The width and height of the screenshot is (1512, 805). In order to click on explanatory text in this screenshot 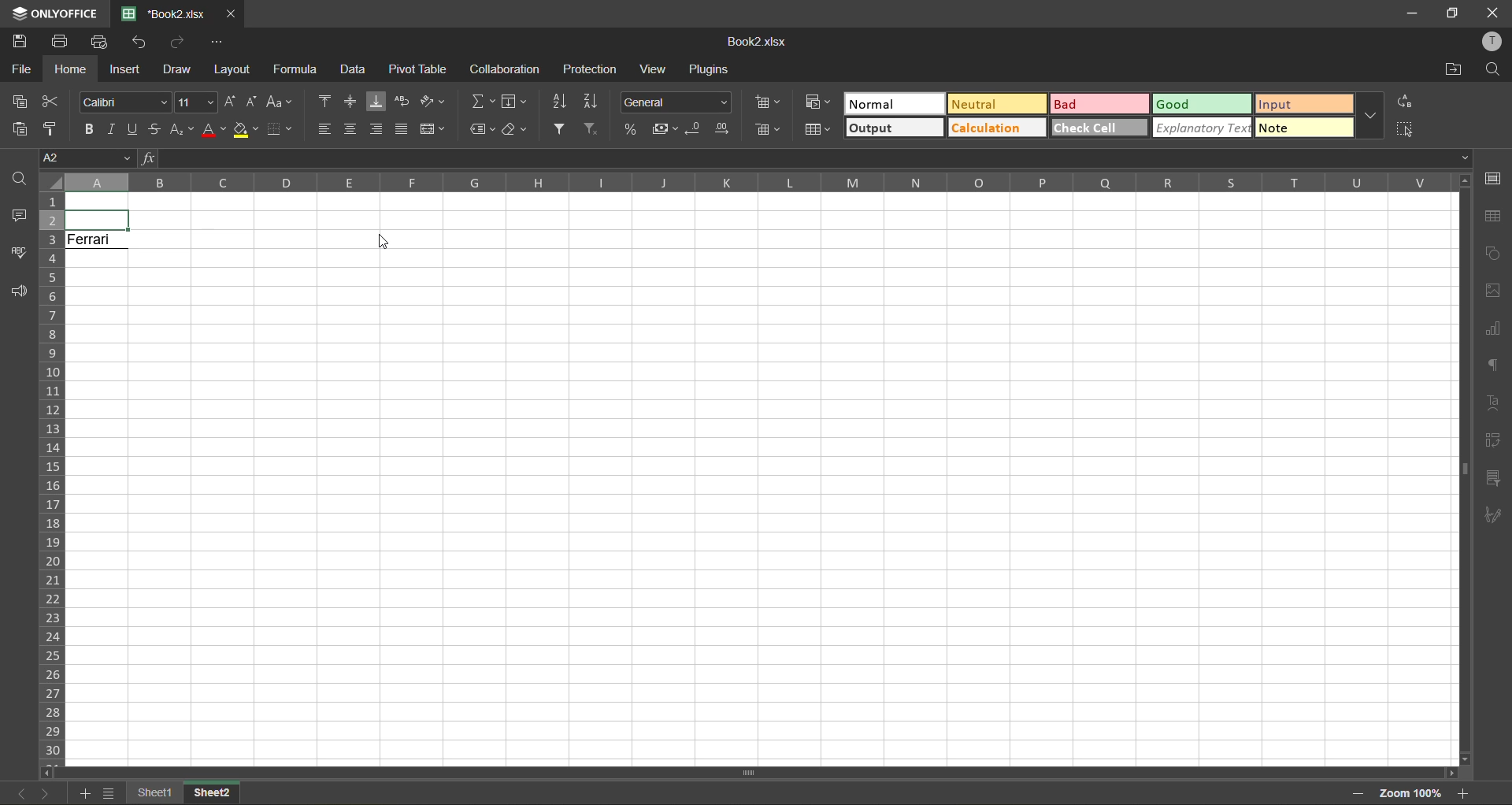, I will do `click(1205, 128)`.